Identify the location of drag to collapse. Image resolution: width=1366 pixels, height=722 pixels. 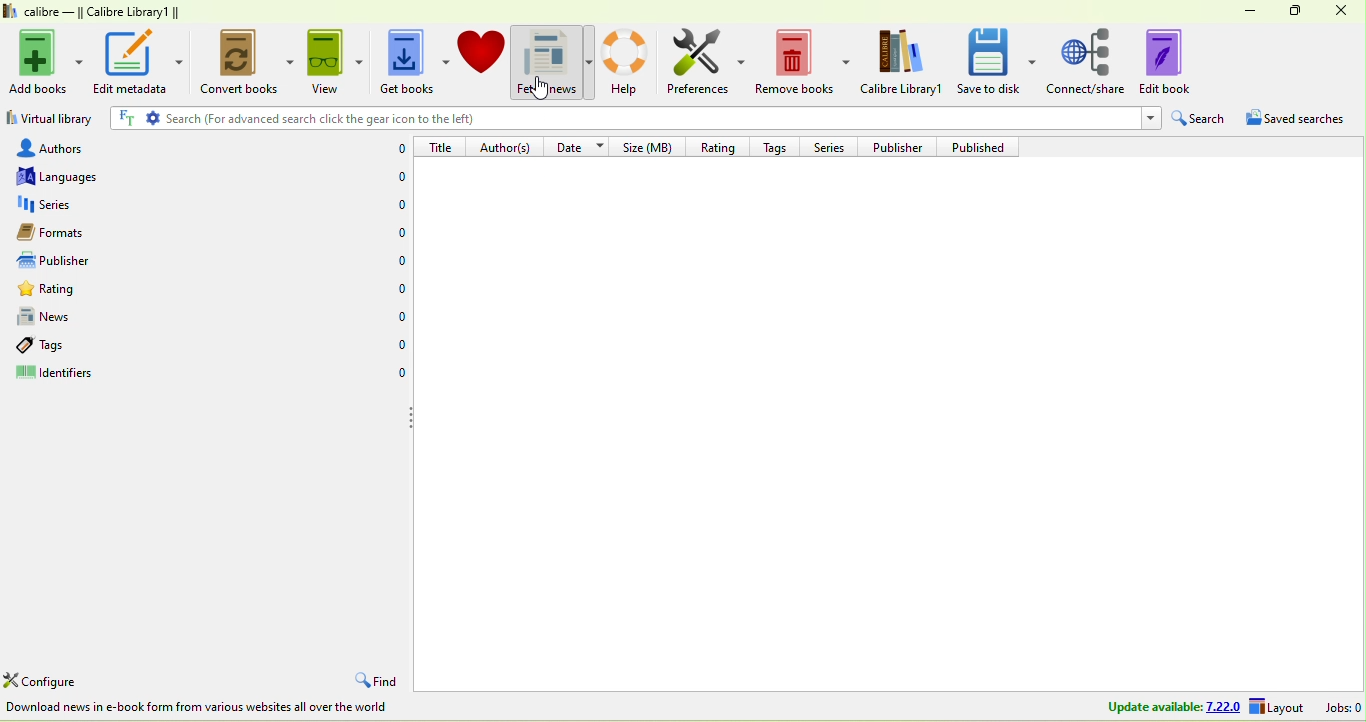
(412, 418).